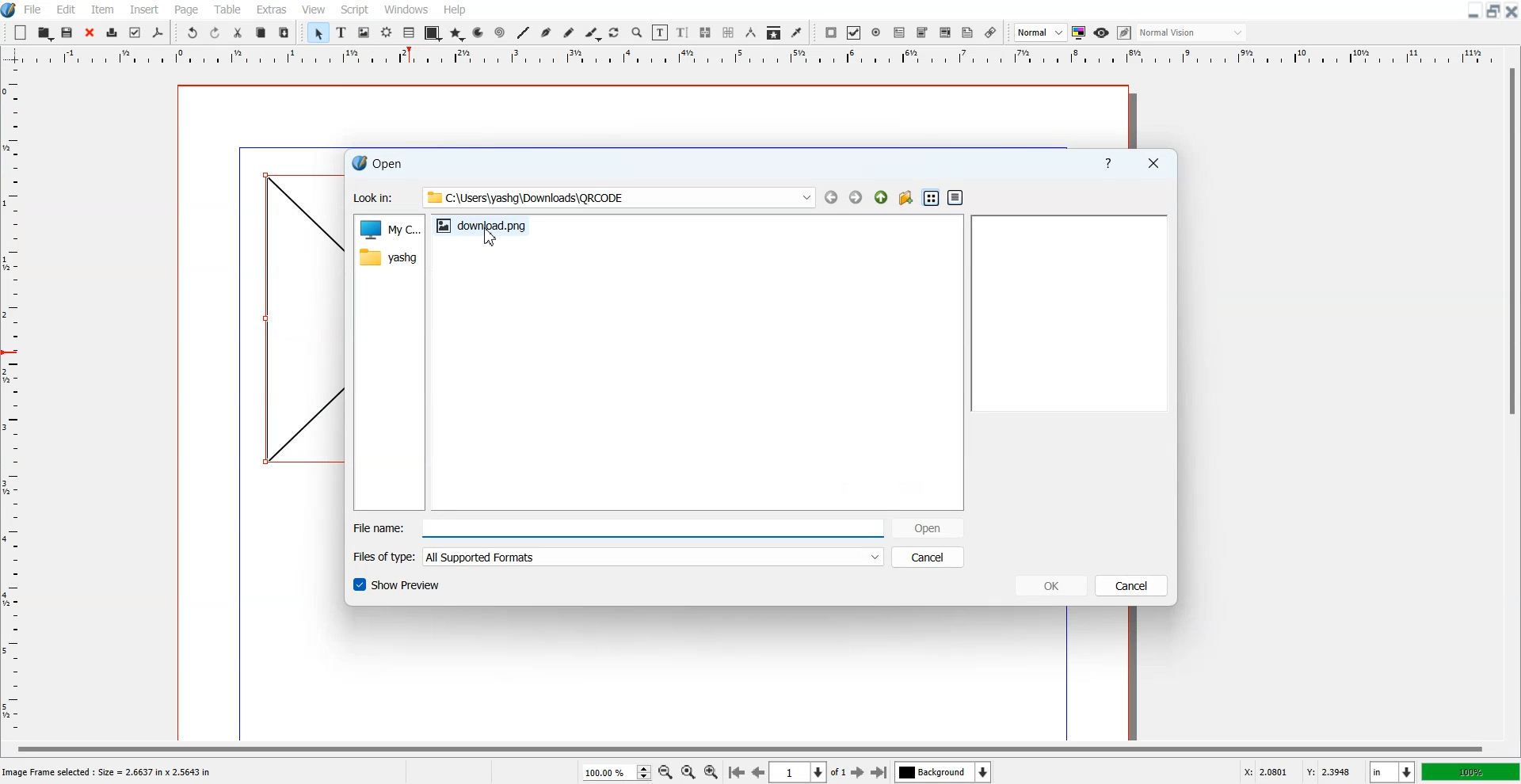  I want to click on All Supported Formats , so click(483, 558).